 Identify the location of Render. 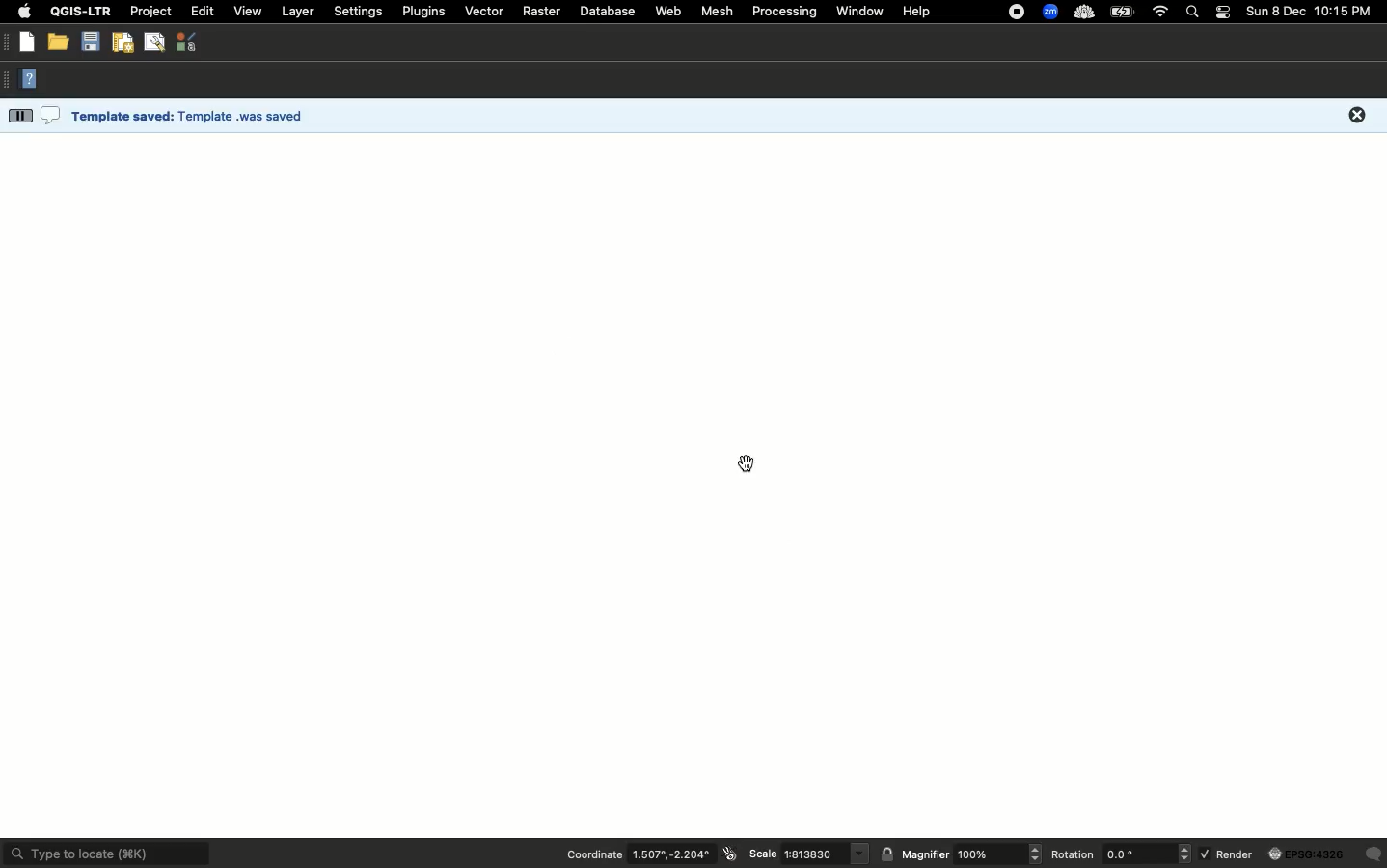
(1225, 854).